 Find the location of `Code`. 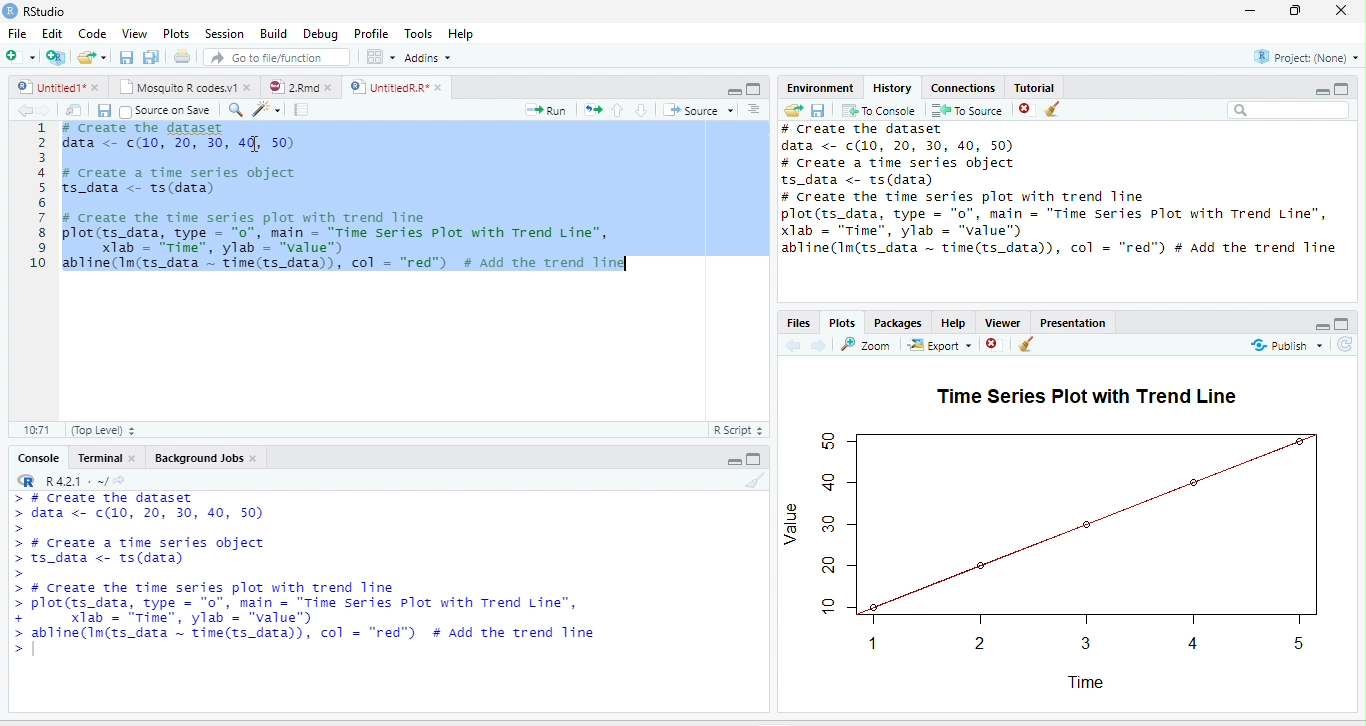

Code is located at coordinates (93, 33).